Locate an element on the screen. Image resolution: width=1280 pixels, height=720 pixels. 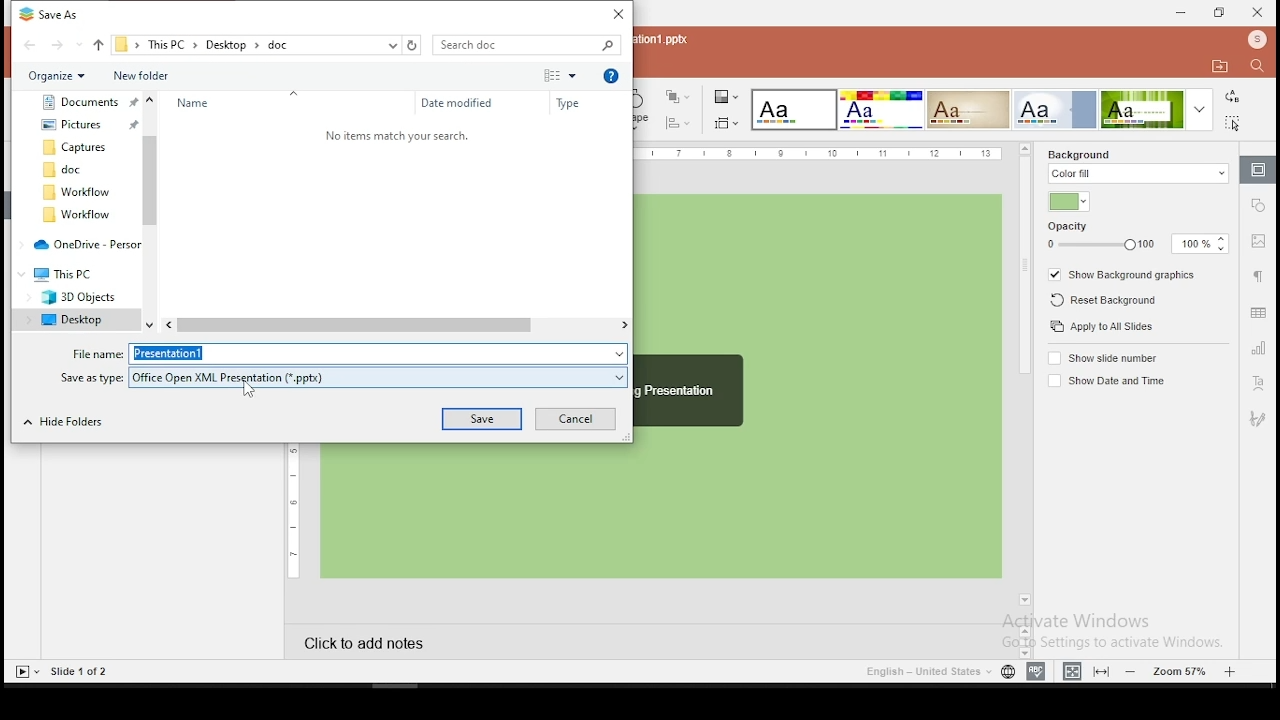
Set document language is located at coordinates (1008, 672).